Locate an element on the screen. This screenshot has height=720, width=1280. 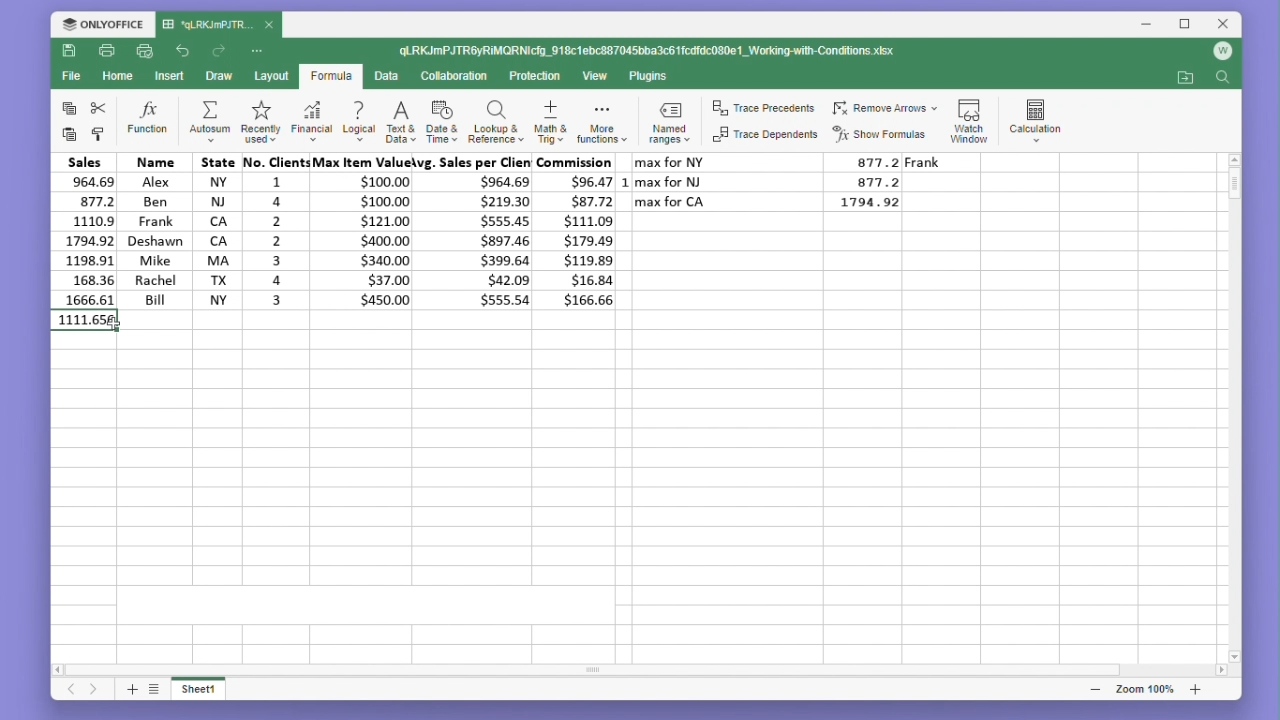
Plugins is located at coordinates (650, 77).